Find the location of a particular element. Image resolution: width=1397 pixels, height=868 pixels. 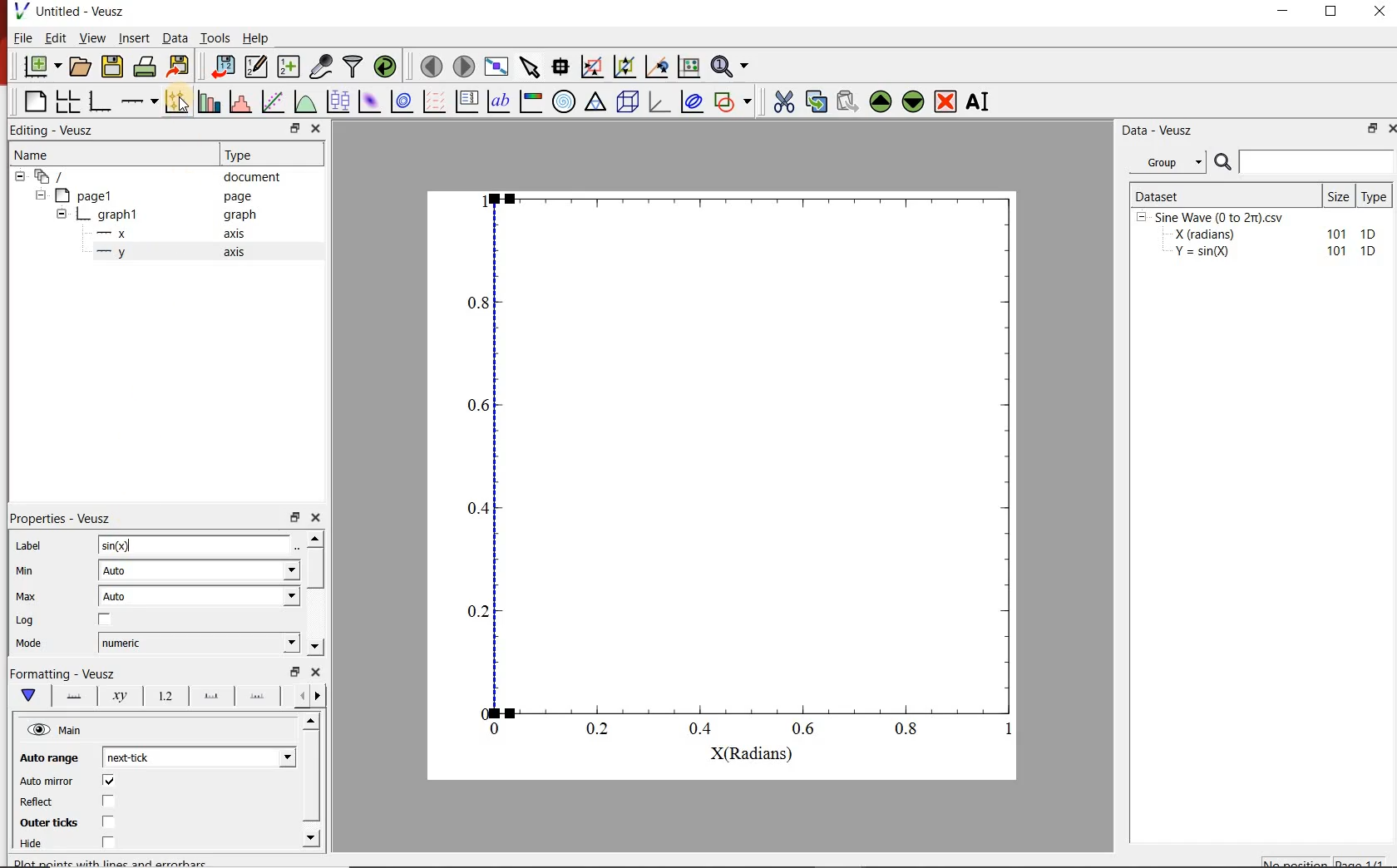

3d scene is located at coordinates (628, 101).